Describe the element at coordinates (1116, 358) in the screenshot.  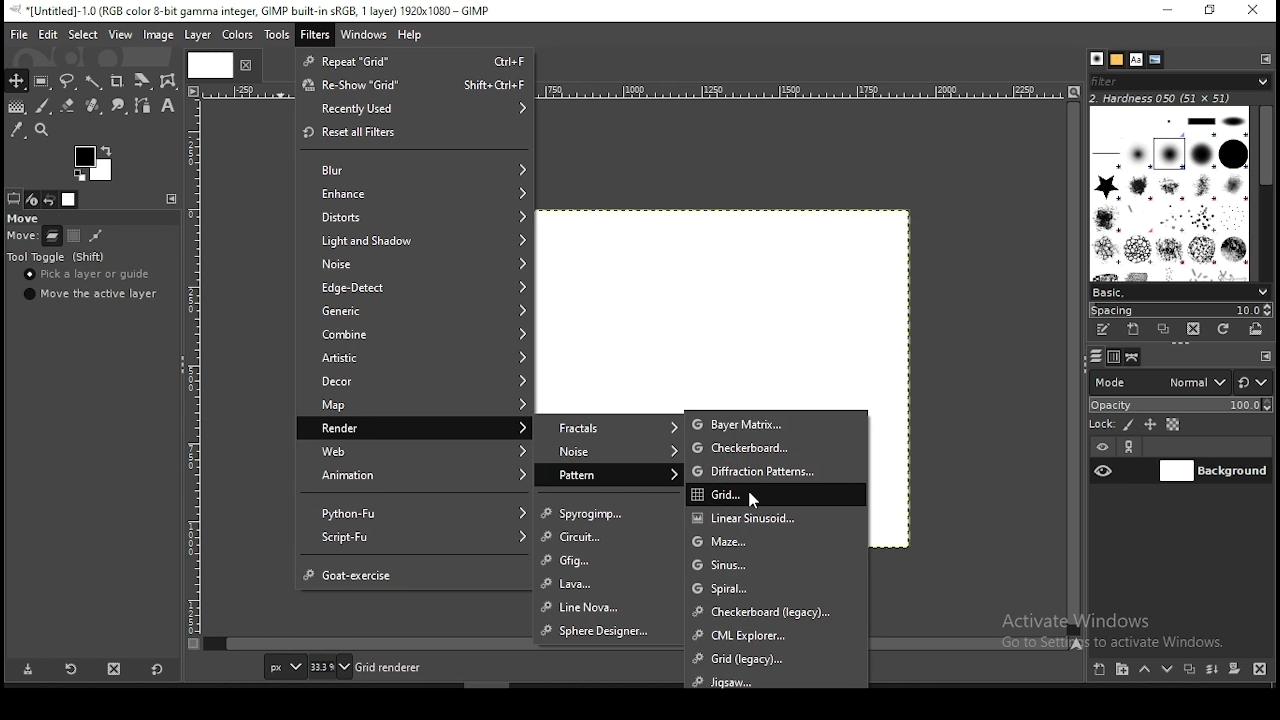
I see `channels` at that location.